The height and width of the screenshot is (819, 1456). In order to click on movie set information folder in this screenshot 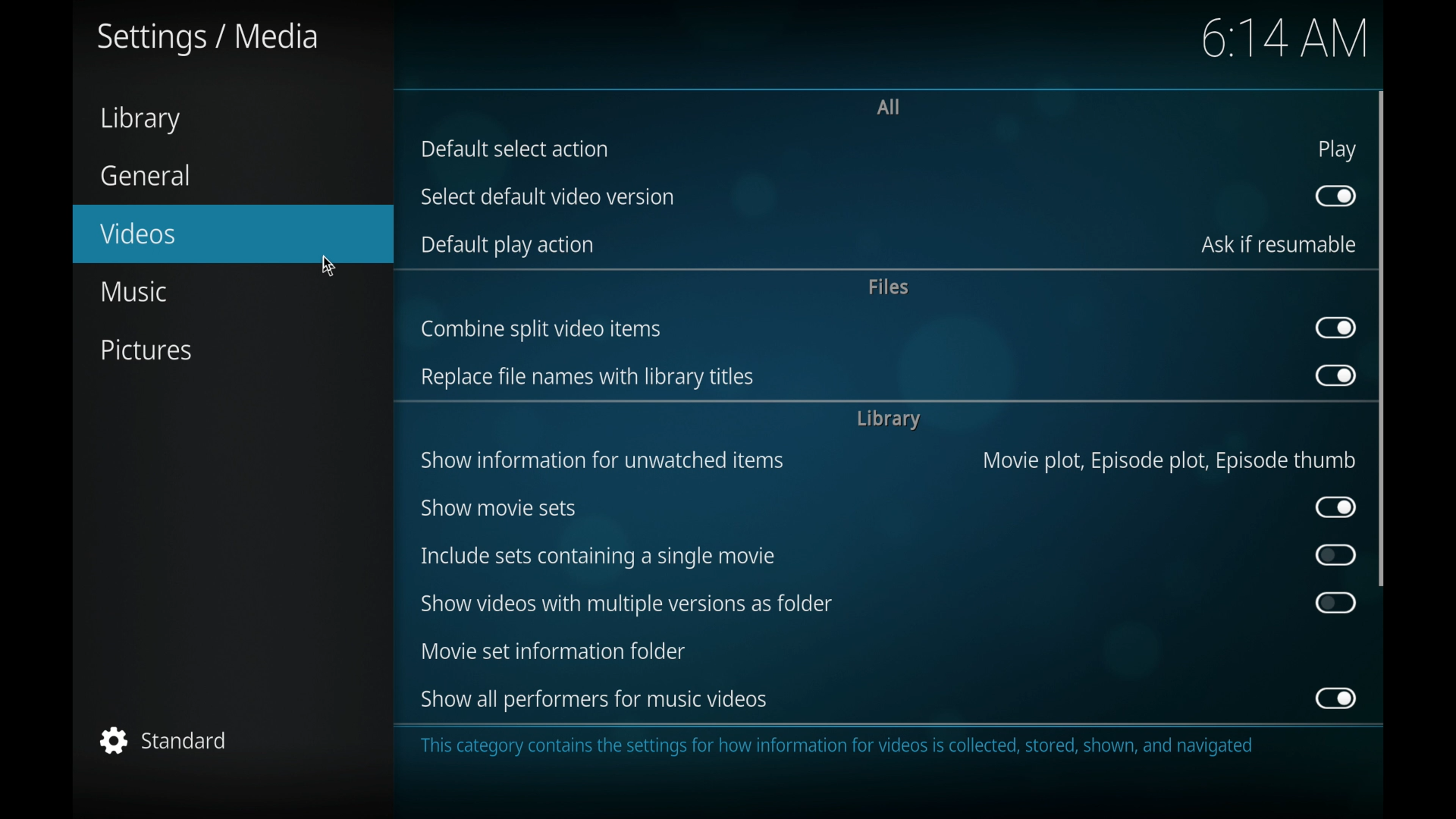, I will do `click(552, 651)`.